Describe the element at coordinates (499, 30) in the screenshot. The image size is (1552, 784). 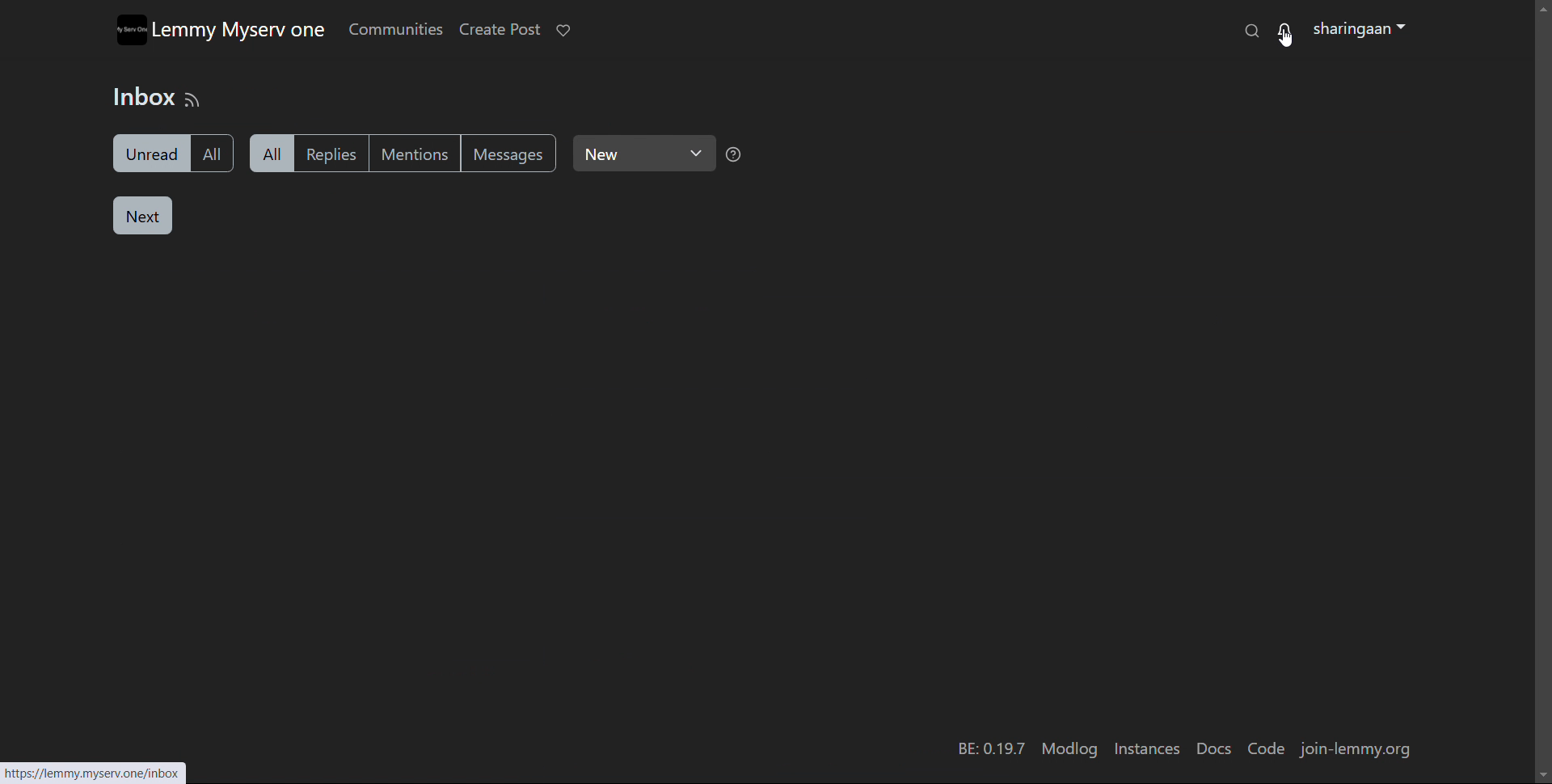
I see `create post` at that location.